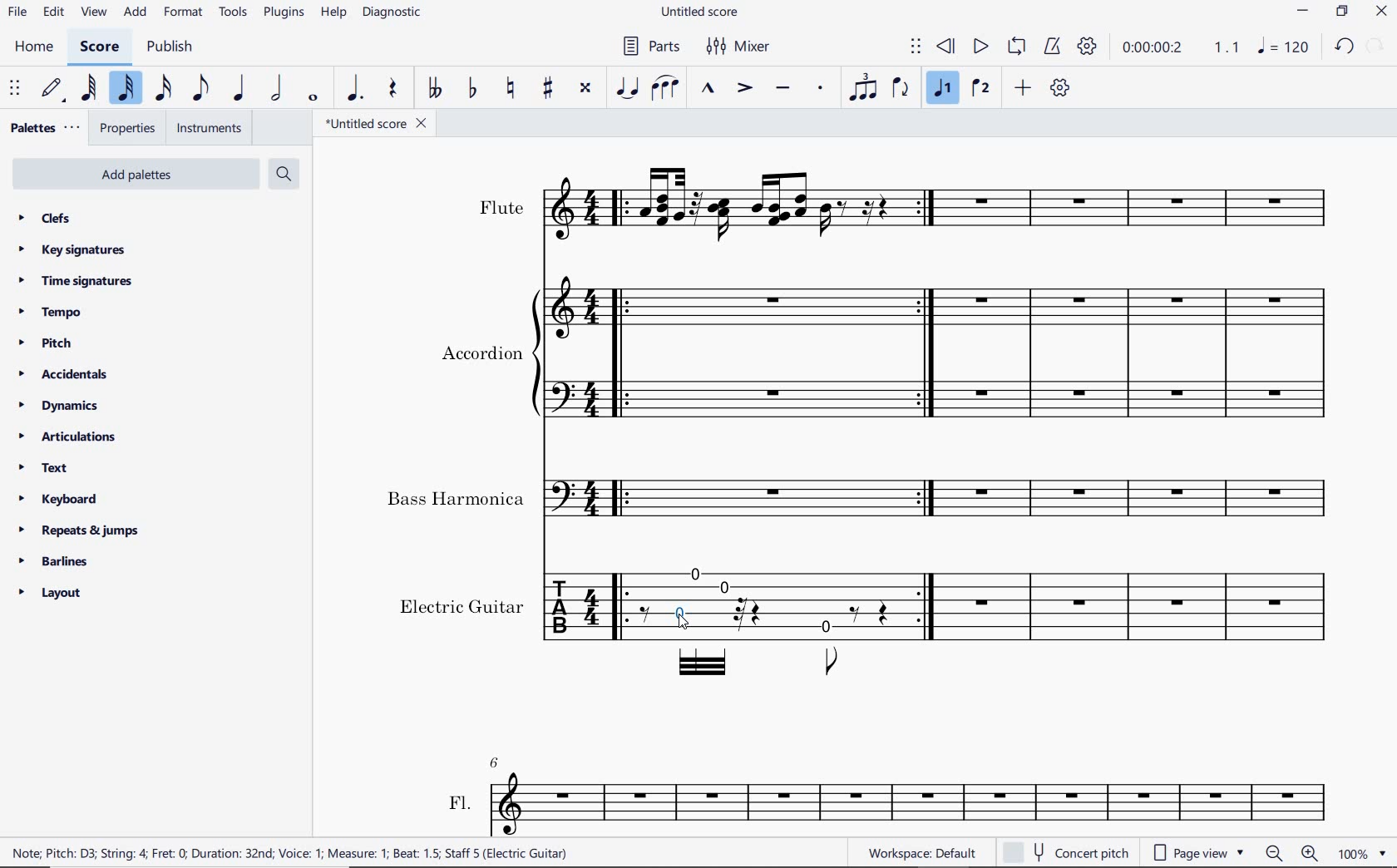  I want to click on page view, so click(1197, 852).